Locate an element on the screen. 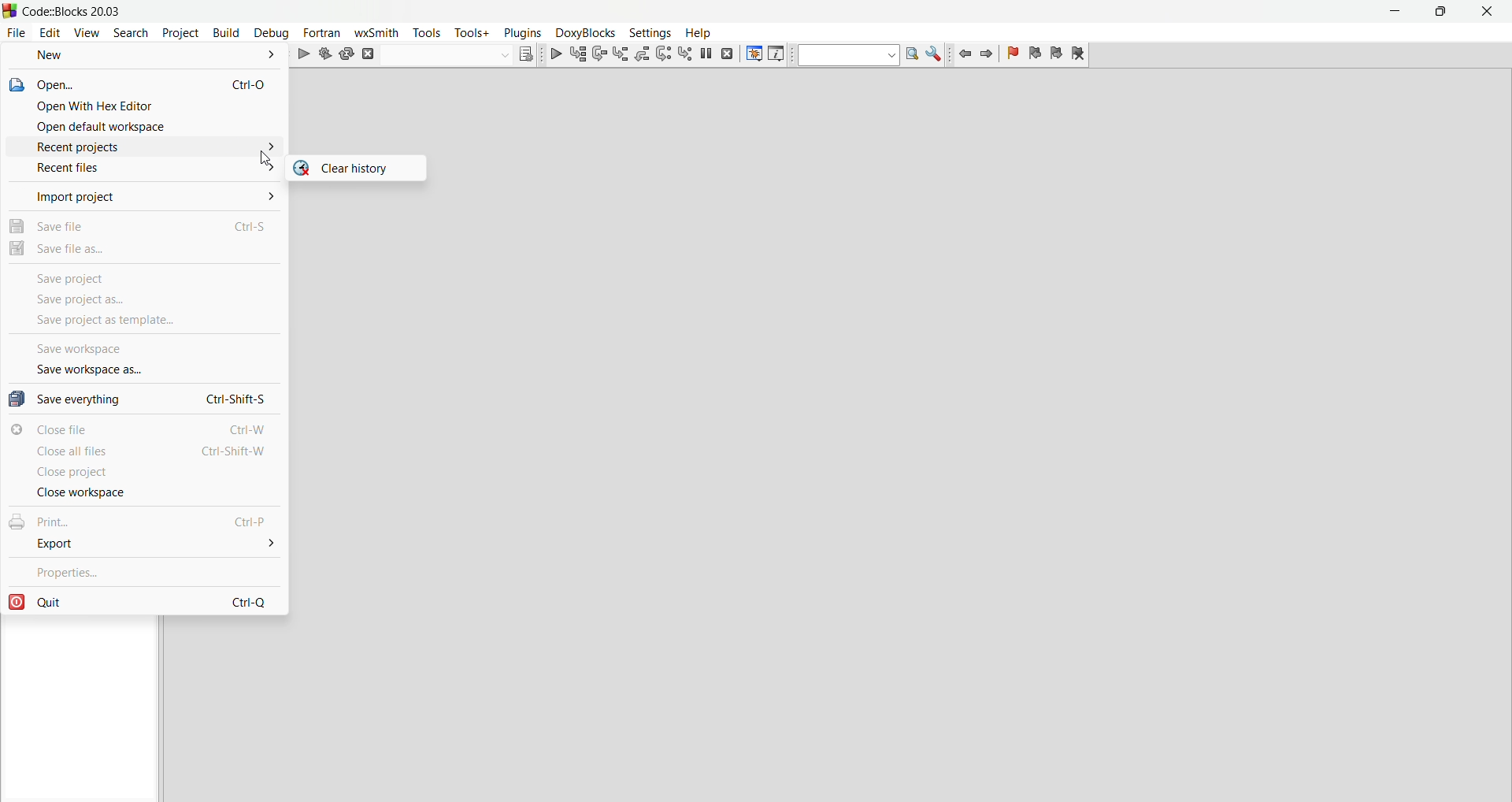  fortran is located at coordinates (324, 32).